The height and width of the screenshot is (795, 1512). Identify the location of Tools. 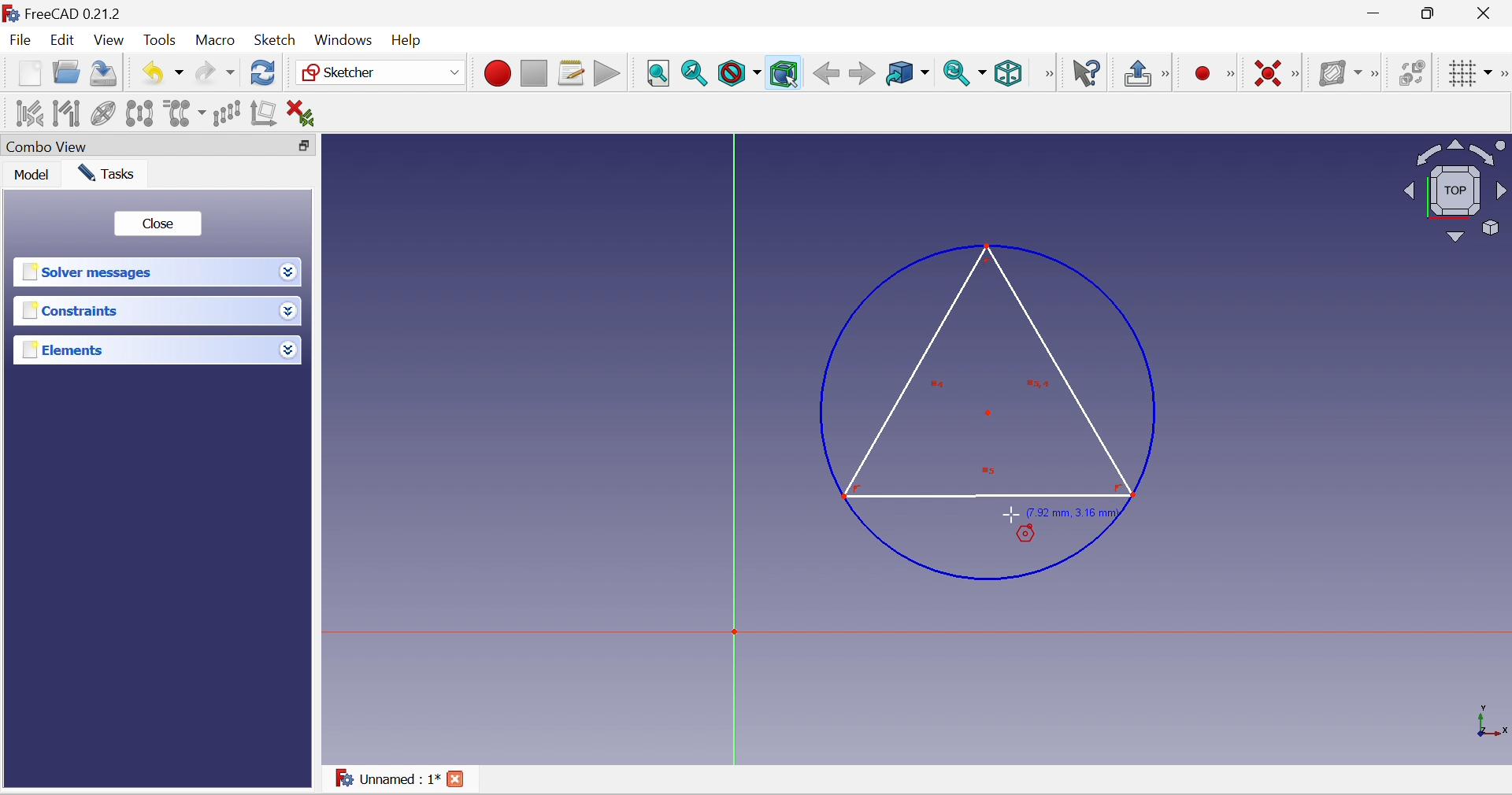
(158, 39).